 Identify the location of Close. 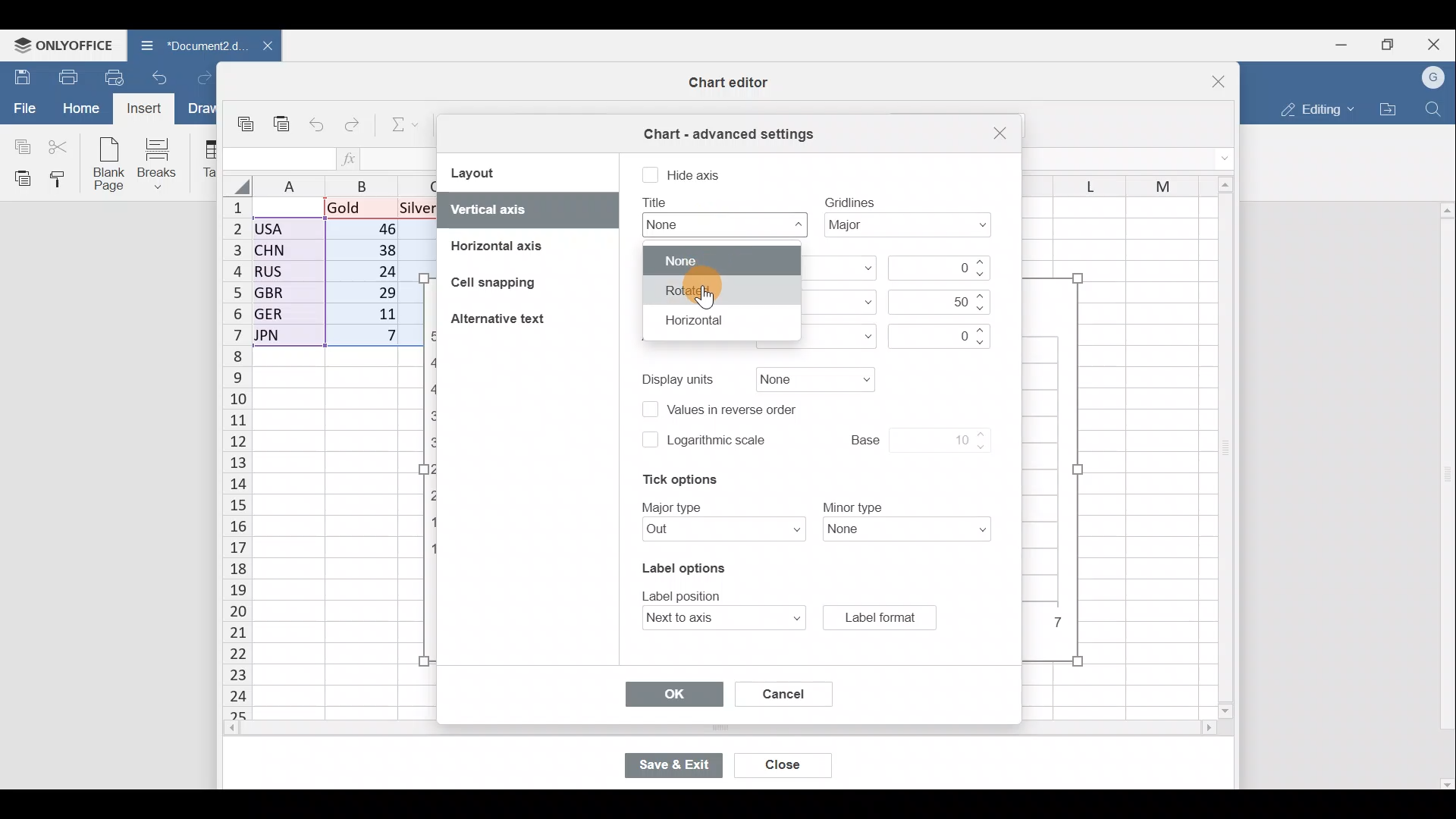
(1209, 76).